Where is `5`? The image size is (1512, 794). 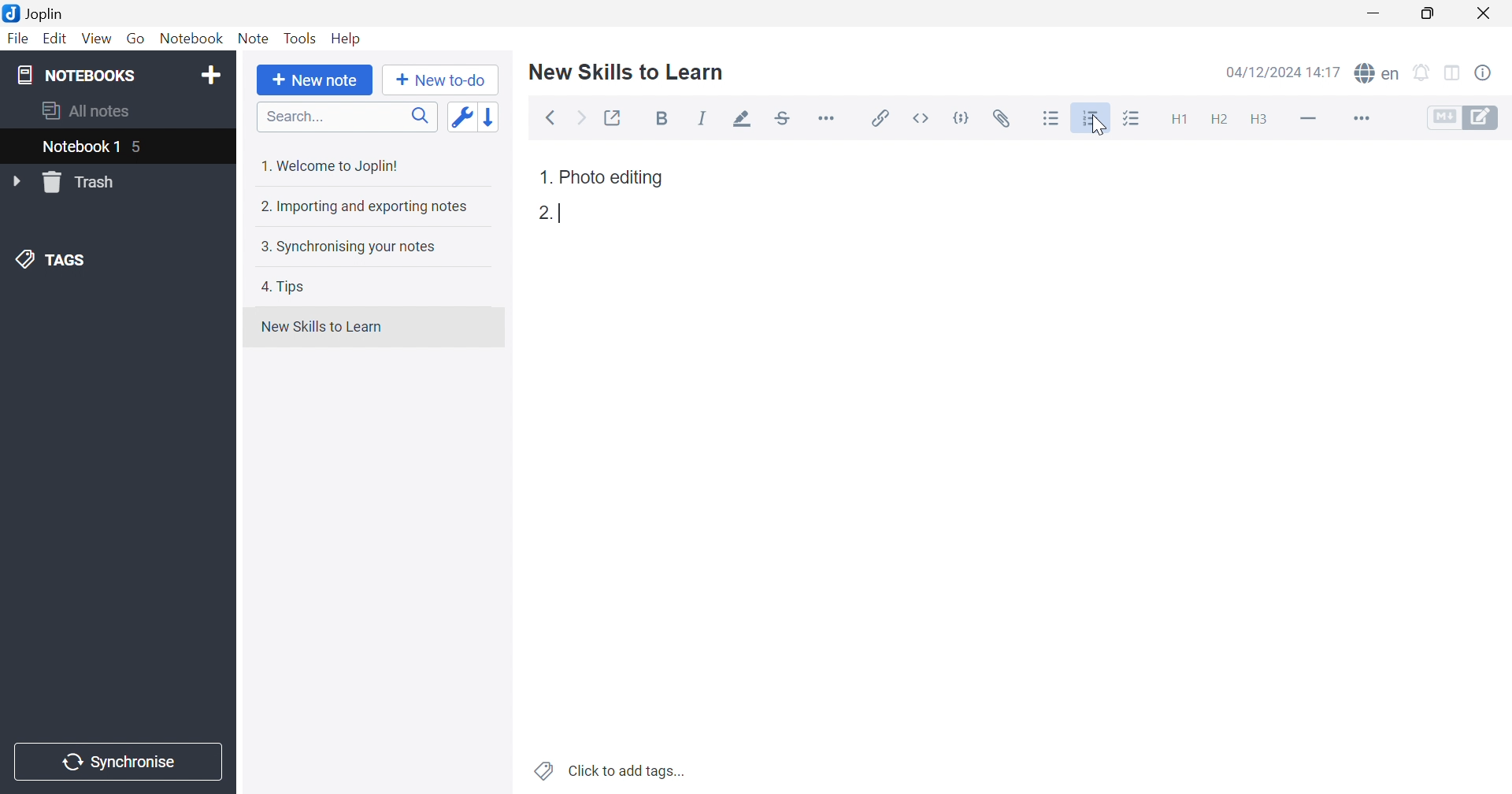
5 is located at coordinates (139, 149).